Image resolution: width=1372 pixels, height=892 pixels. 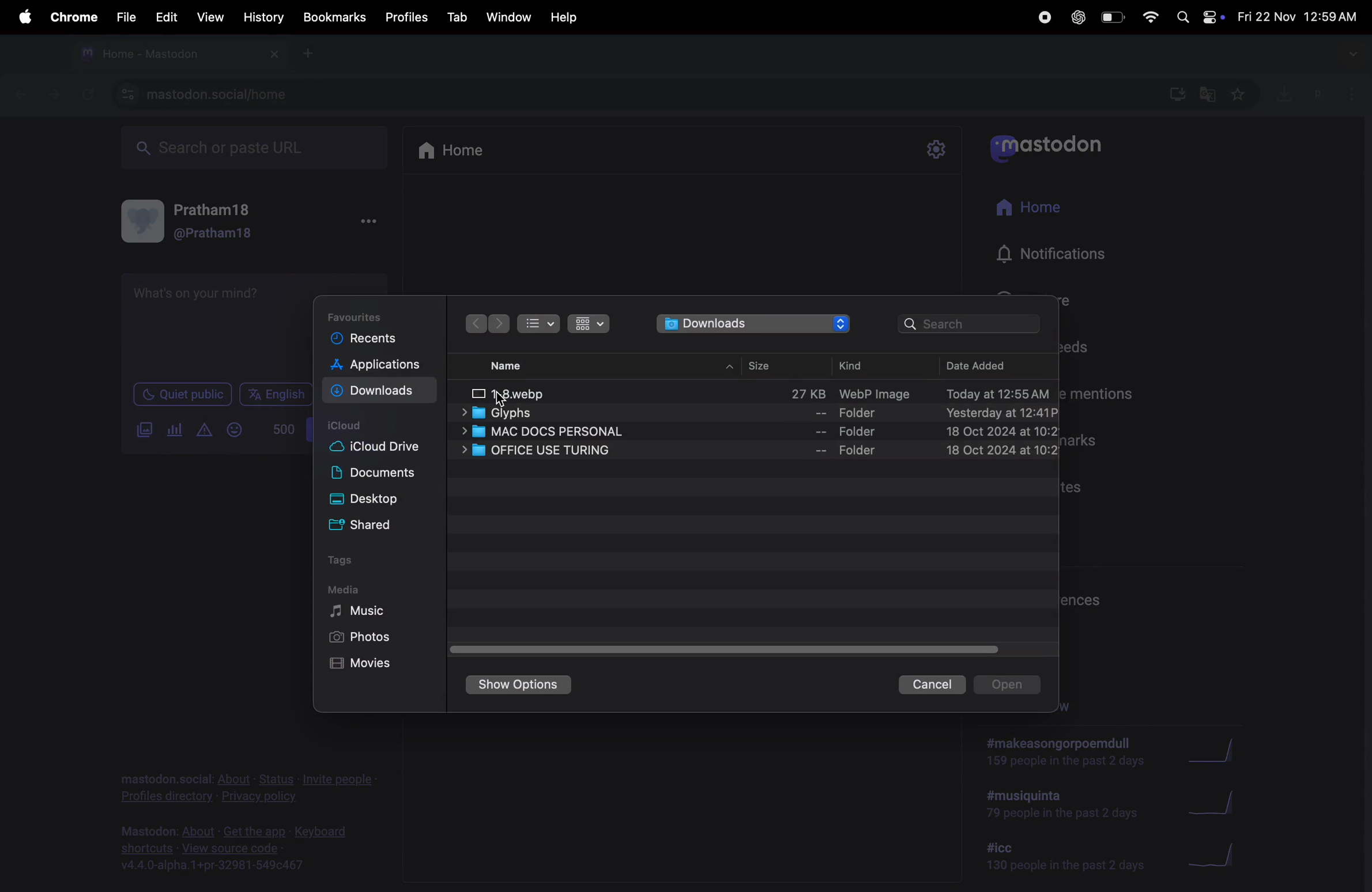 What do you see at coordinates (1061, 149) in the screenshot?
I see `mastodon` at bounding box center [1061, 149].